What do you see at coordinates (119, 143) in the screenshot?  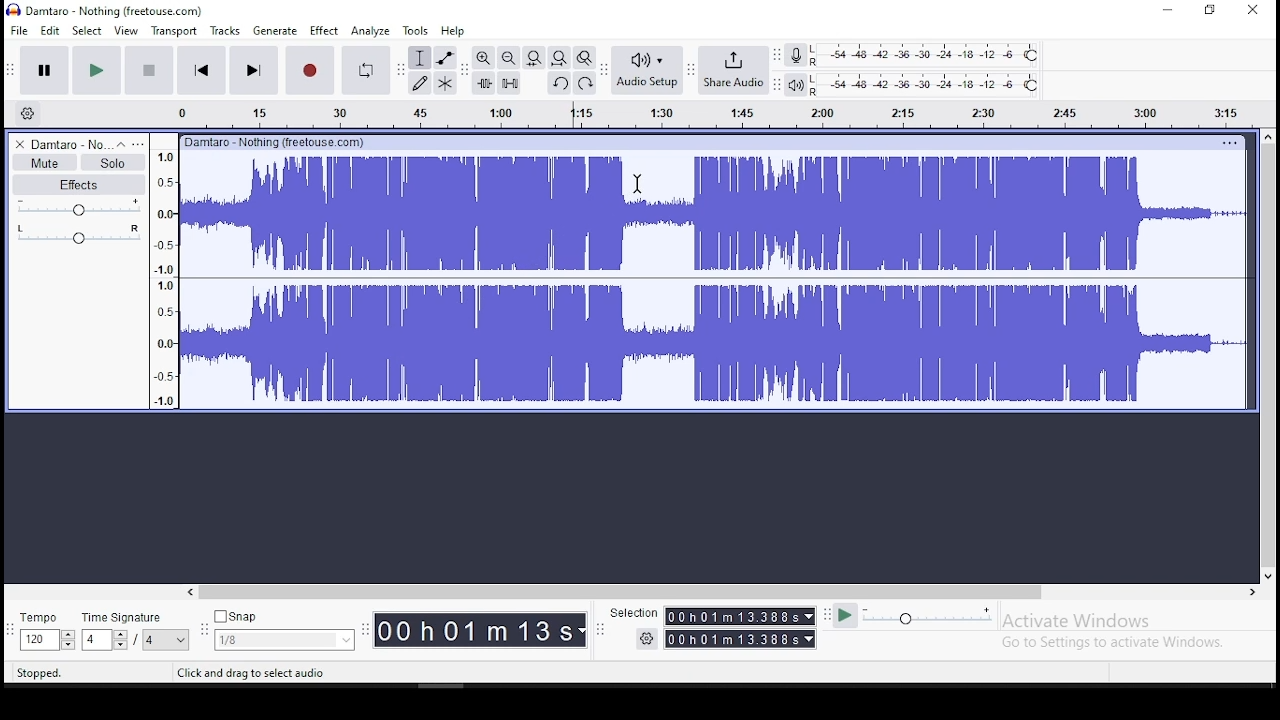 I see `collapse` at bounding box center [119, 143].